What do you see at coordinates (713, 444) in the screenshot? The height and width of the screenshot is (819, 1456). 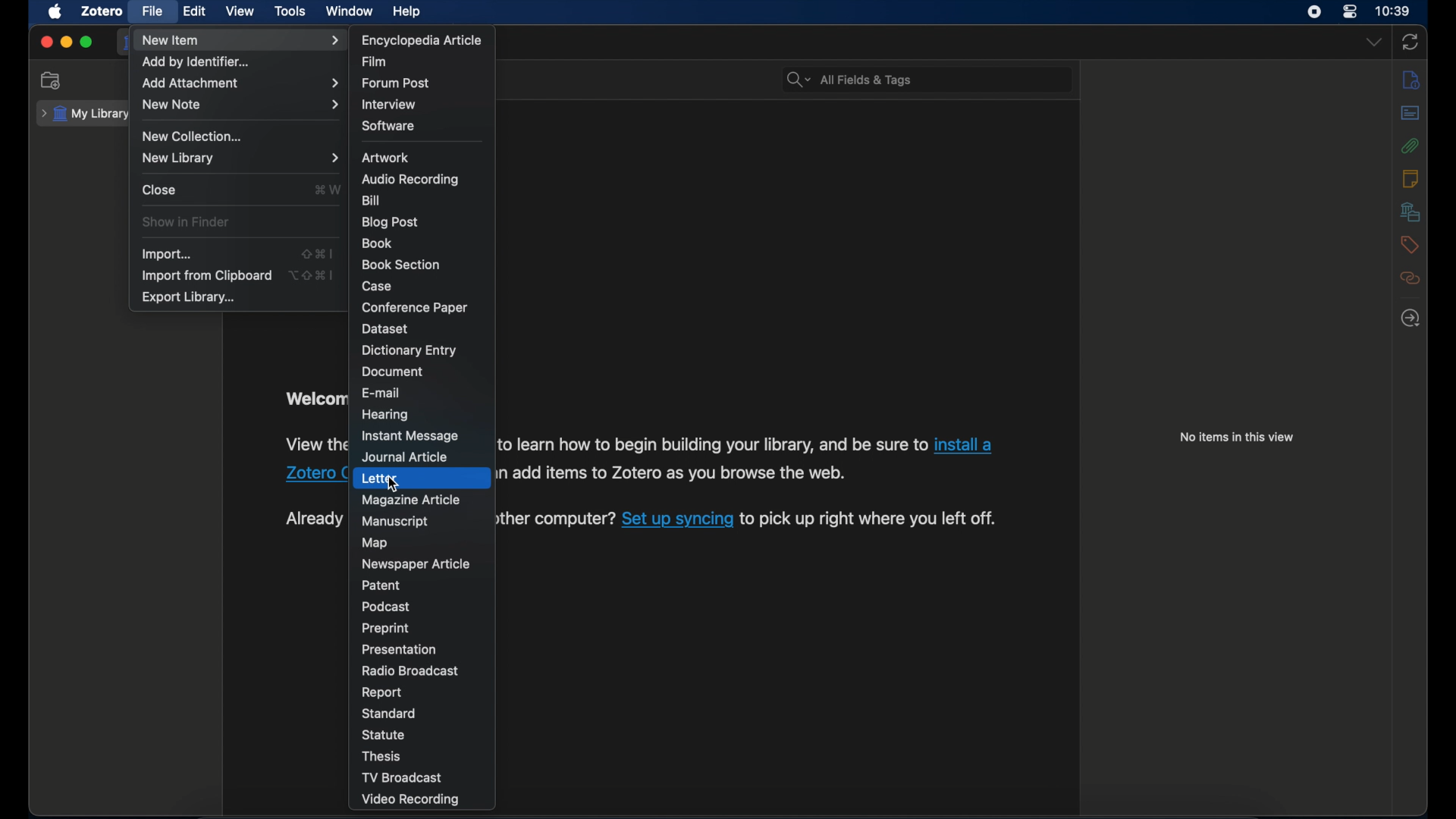 I see `to learn how to begin building your library, and be sure to` at bounding box center [713, 444].